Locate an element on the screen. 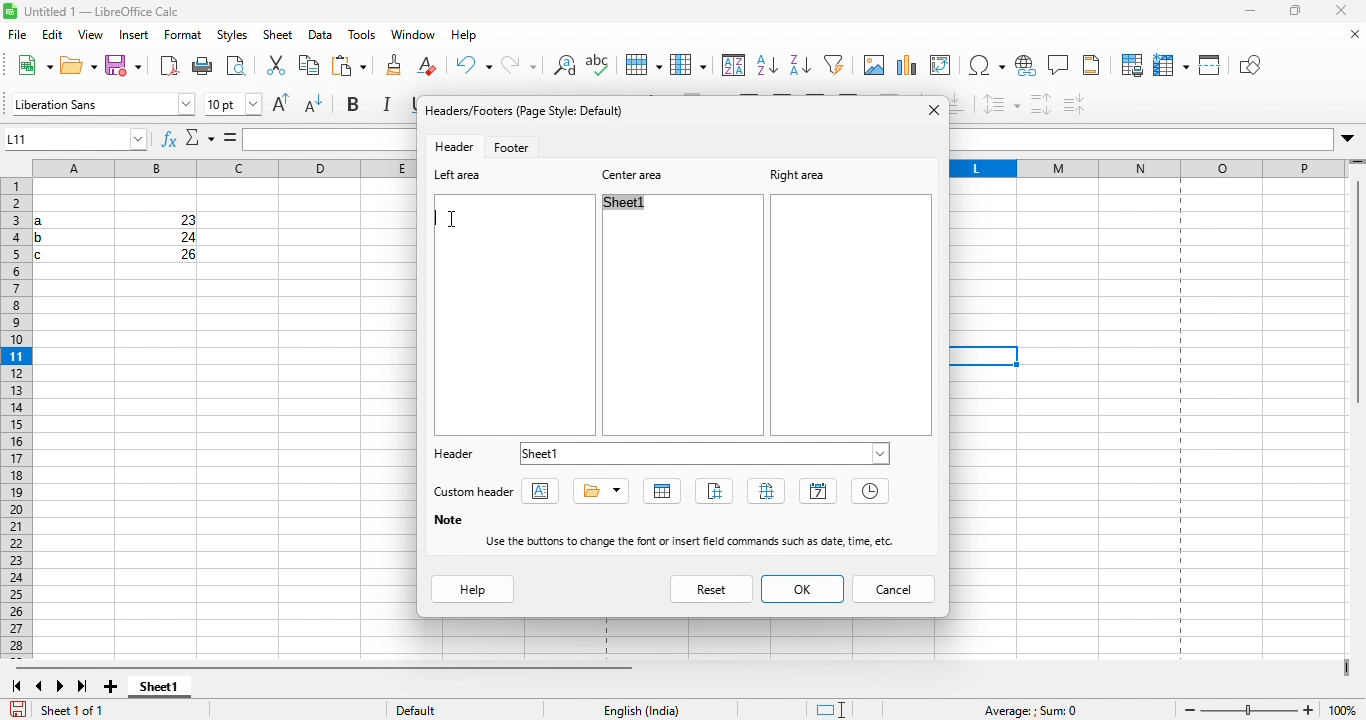  split window is located at coordinates (1209, 66).